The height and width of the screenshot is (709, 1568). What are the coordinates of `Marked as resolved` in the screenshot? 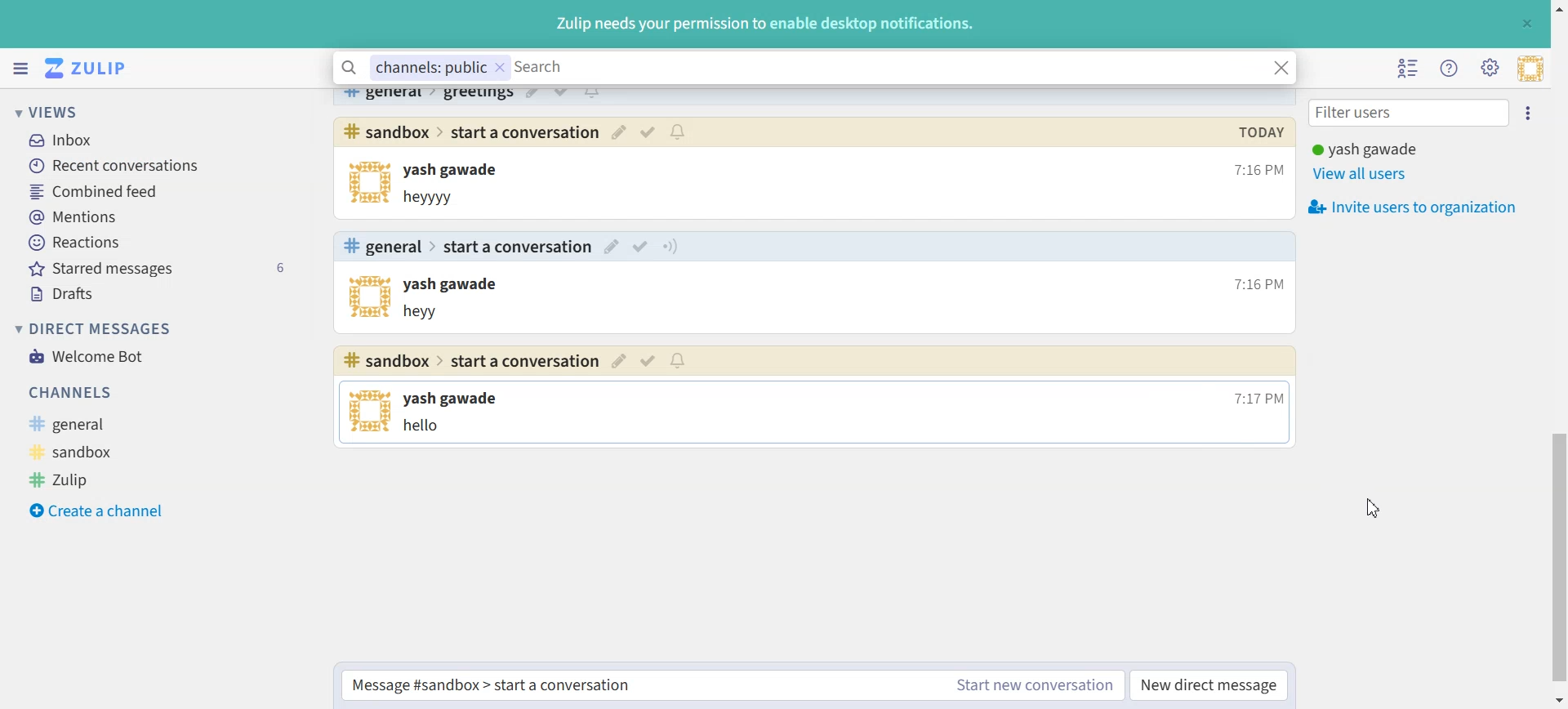 It's located at (648, 132).